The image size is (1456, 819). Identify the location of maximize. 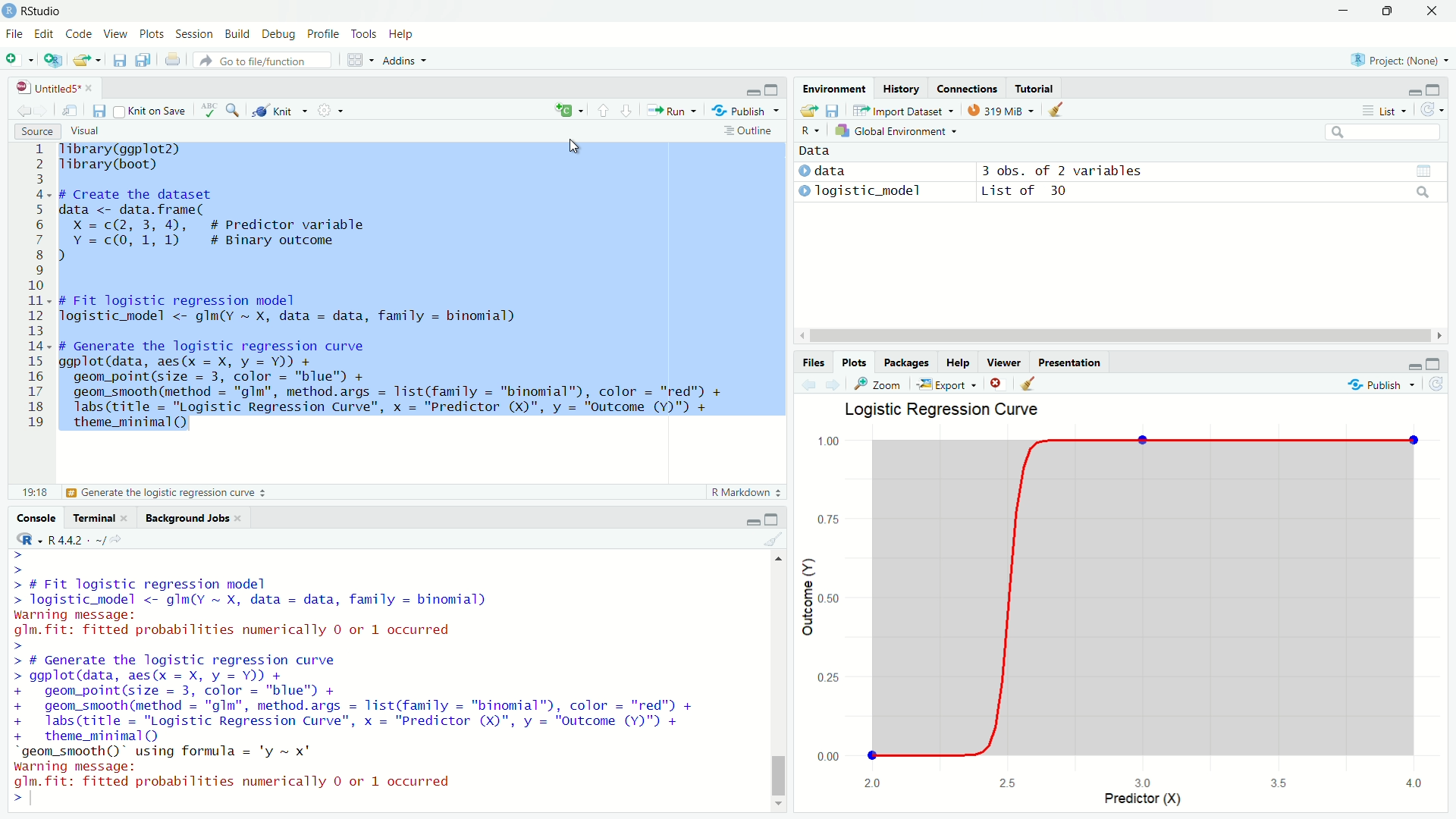
(771, 519).